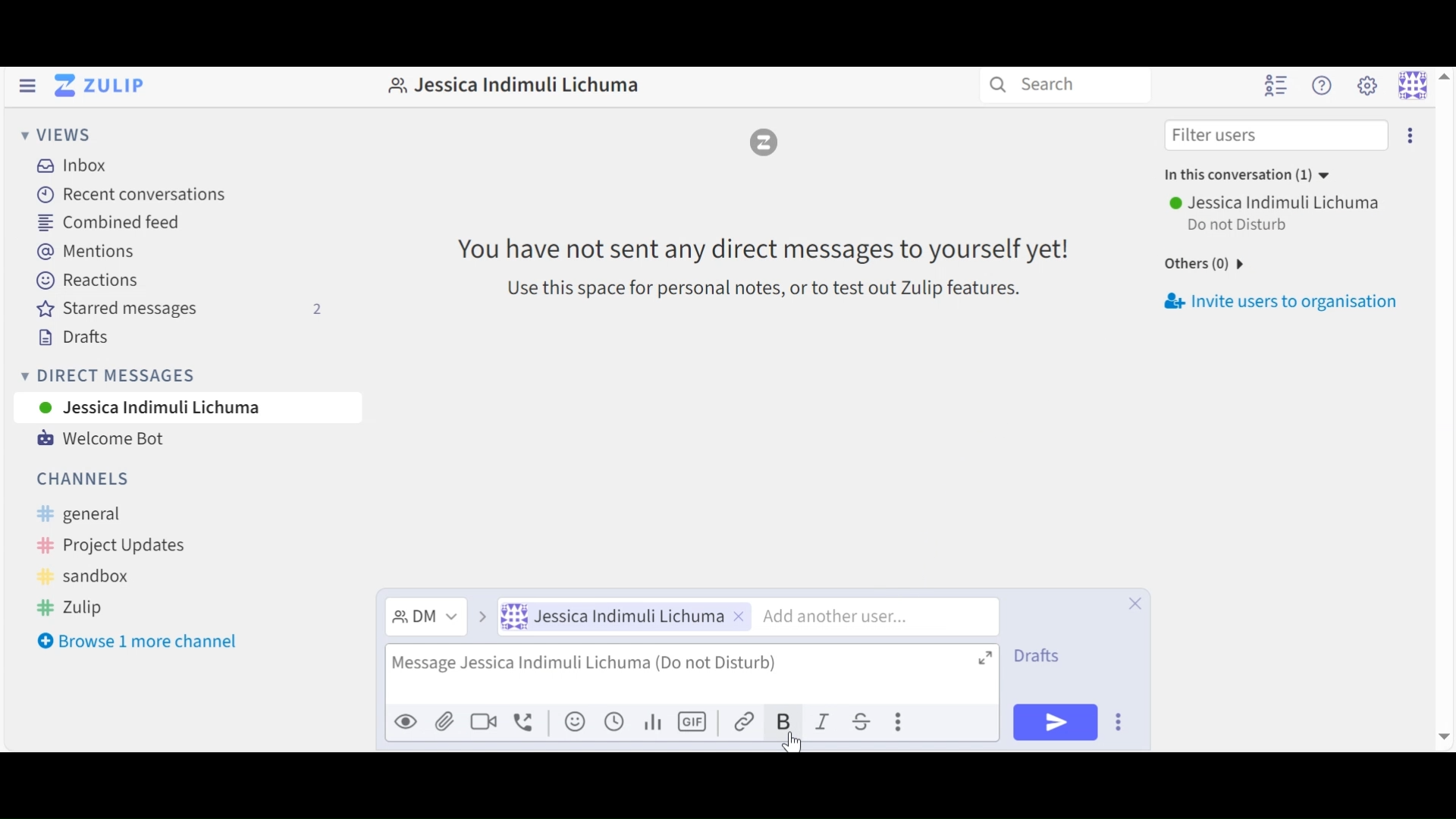 The width and height of the screenshot is (1456, 819). What do you see at coordinates (786, 721) in the screenshot?
I see `Bold` at bounding box center [786, 721].